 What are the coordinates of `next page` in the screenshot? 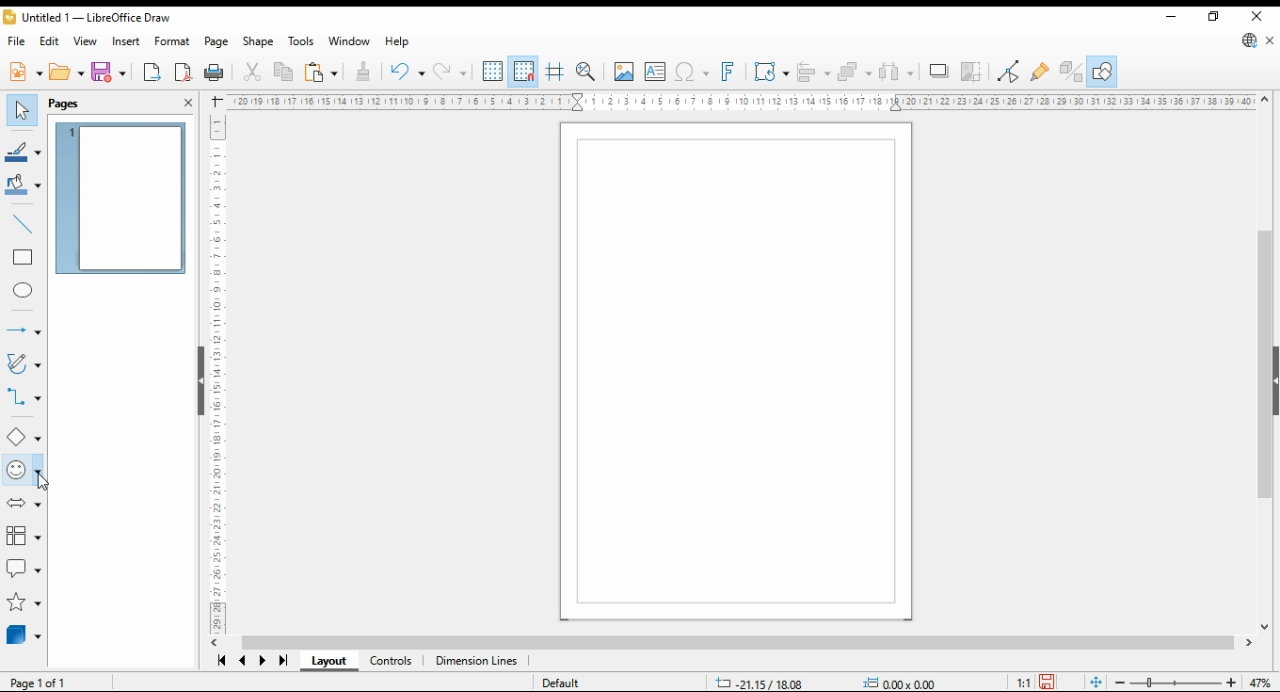 It's located at (264, 663).